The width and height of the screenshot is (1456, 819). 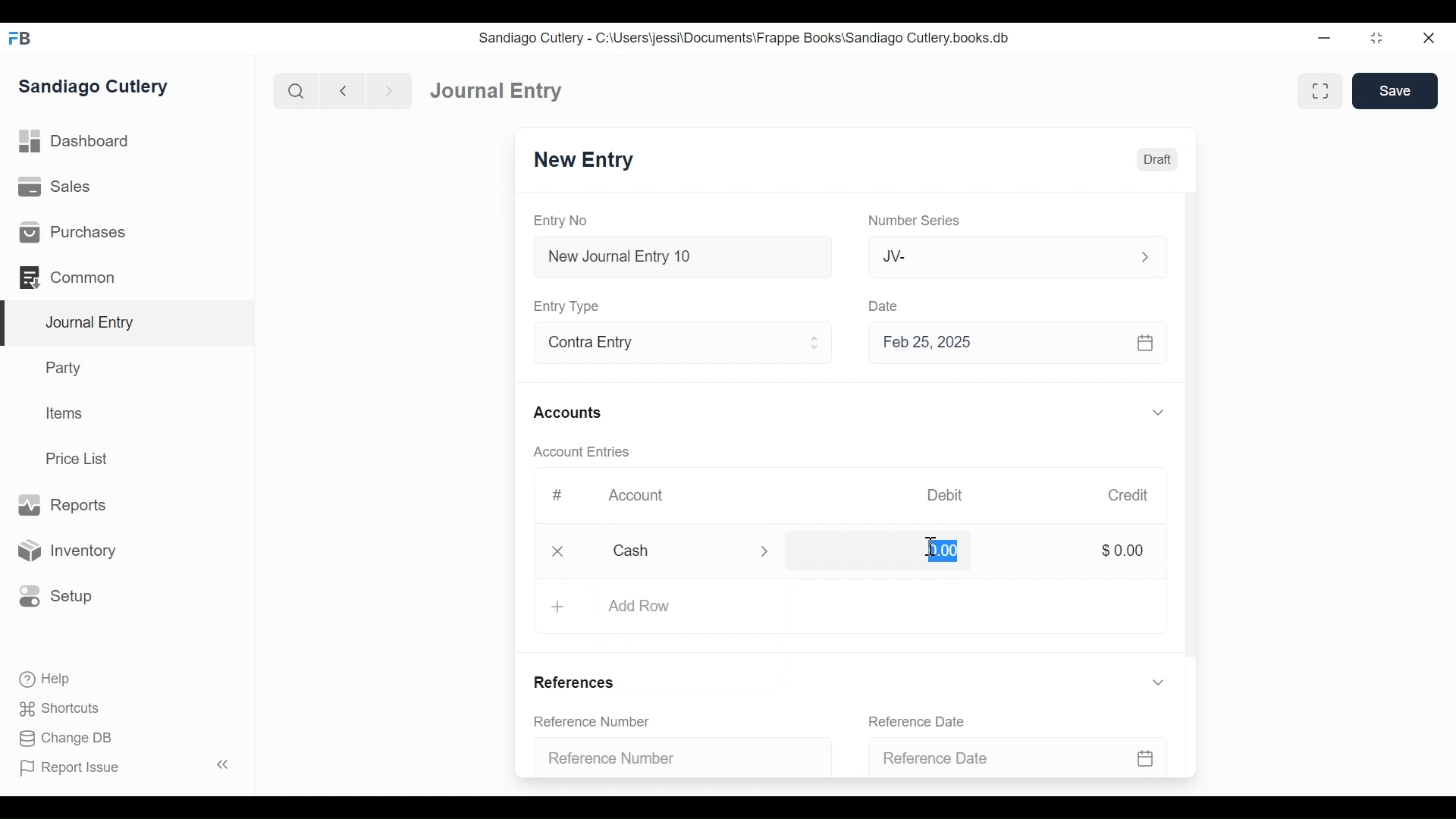 I want to click on Restore, so click(x=1376, y=39).